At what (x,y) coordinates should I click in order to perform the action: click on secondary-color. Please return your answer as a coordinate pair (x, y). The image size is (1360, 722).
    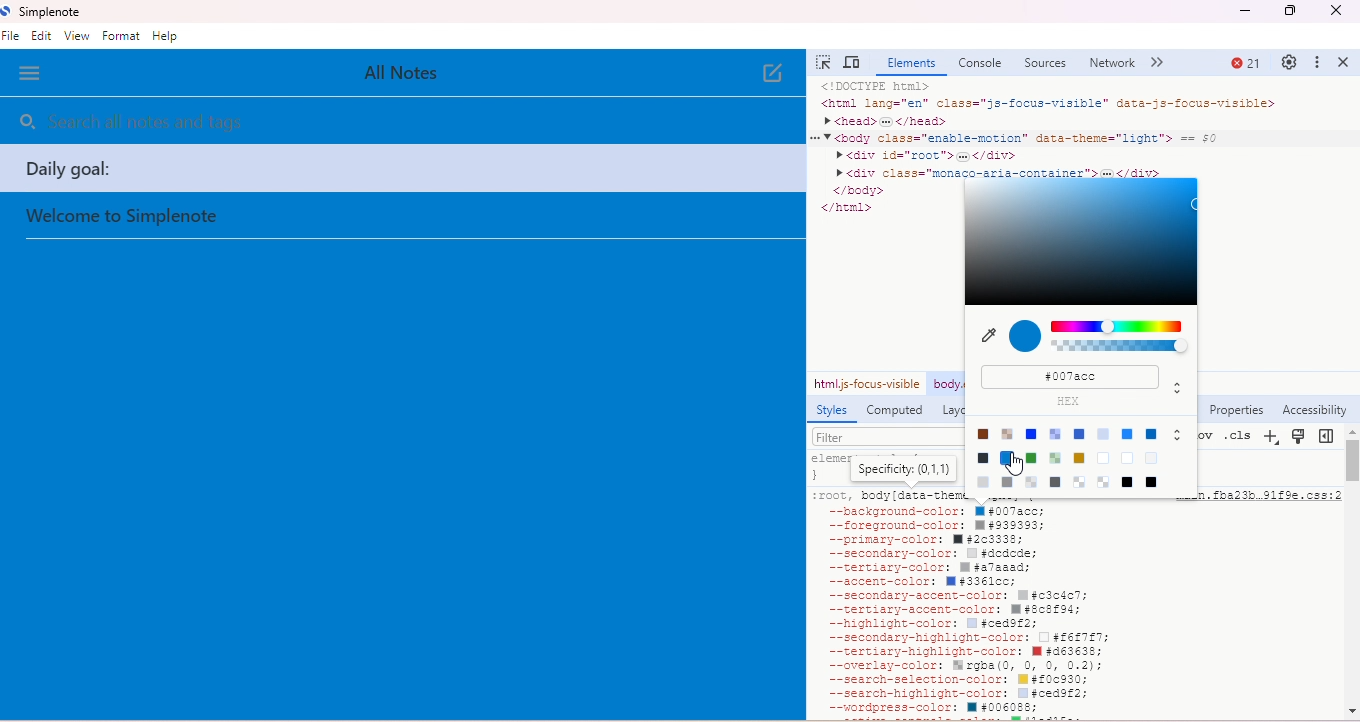
    Looking at the image, I should click on (927, 554).